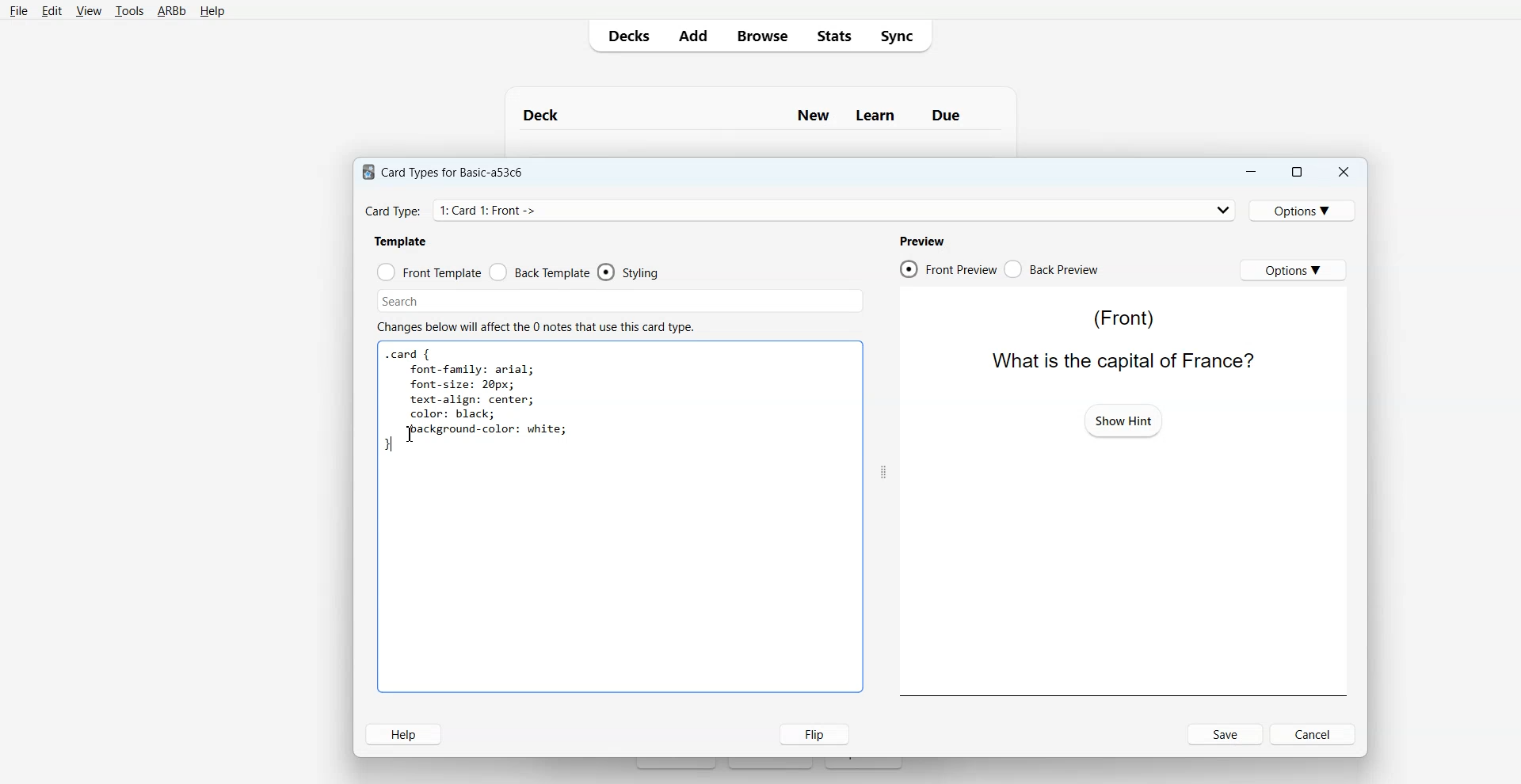 This screenshot has height=784, width=1521. Describe the element at coordinates (833, 35) in the screenshot. I see `Stats` at that location.